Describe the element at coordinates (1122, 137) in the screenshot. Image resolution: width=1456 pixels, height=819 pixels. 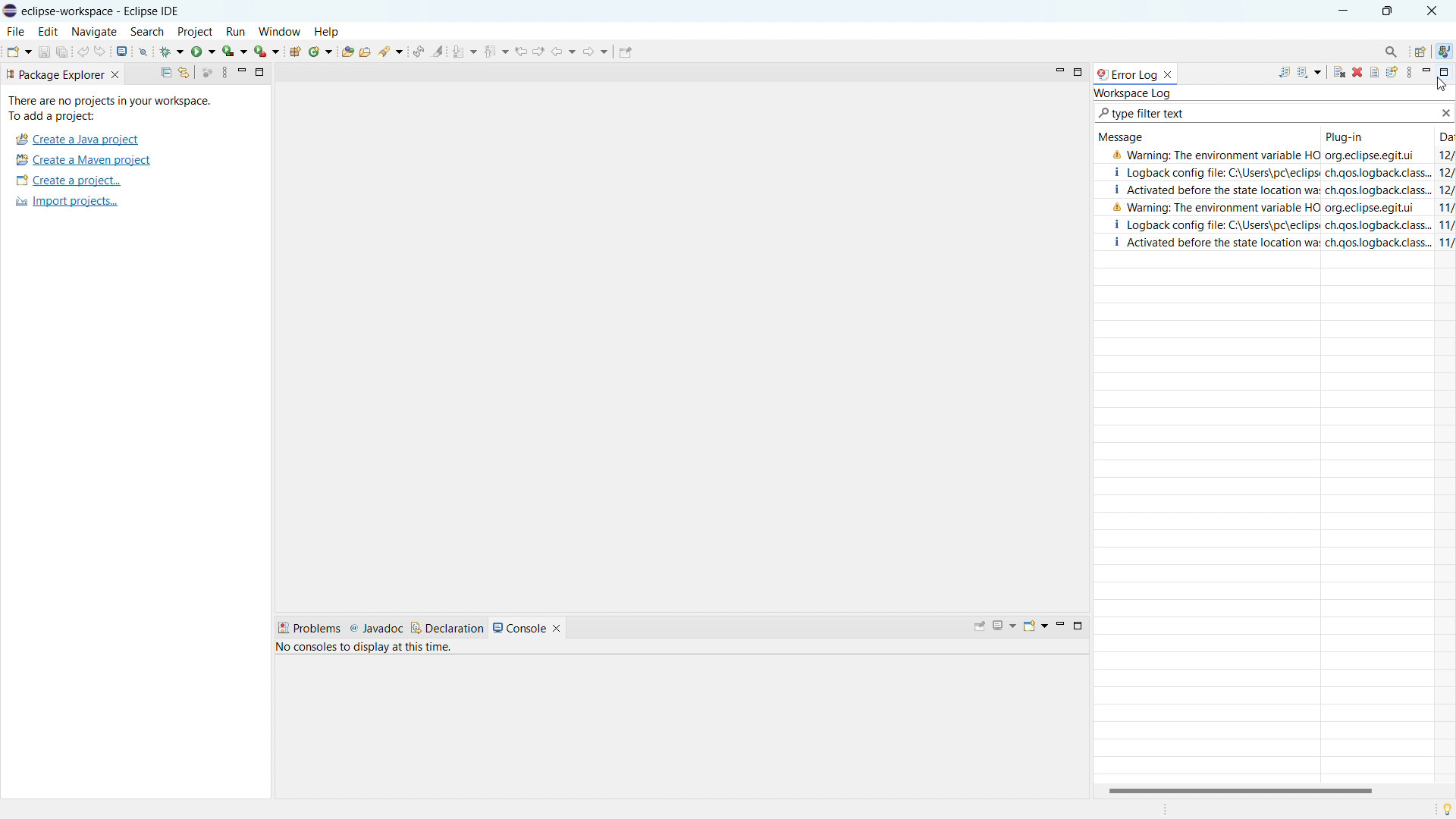
I see `message` at that location.